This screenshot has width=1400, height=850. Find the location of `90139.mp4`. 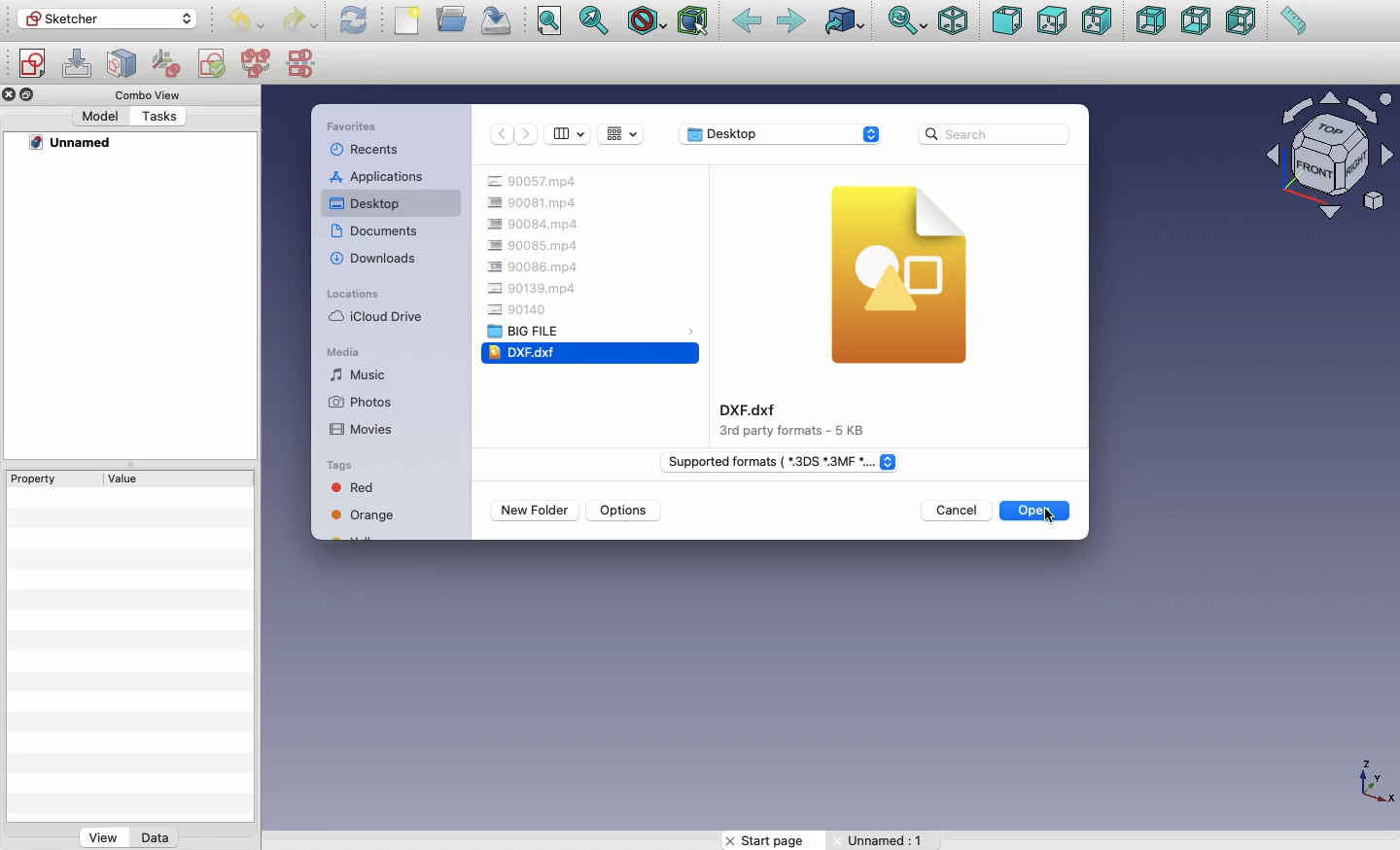

90139.mp4 is located at coordinates (534, 288).